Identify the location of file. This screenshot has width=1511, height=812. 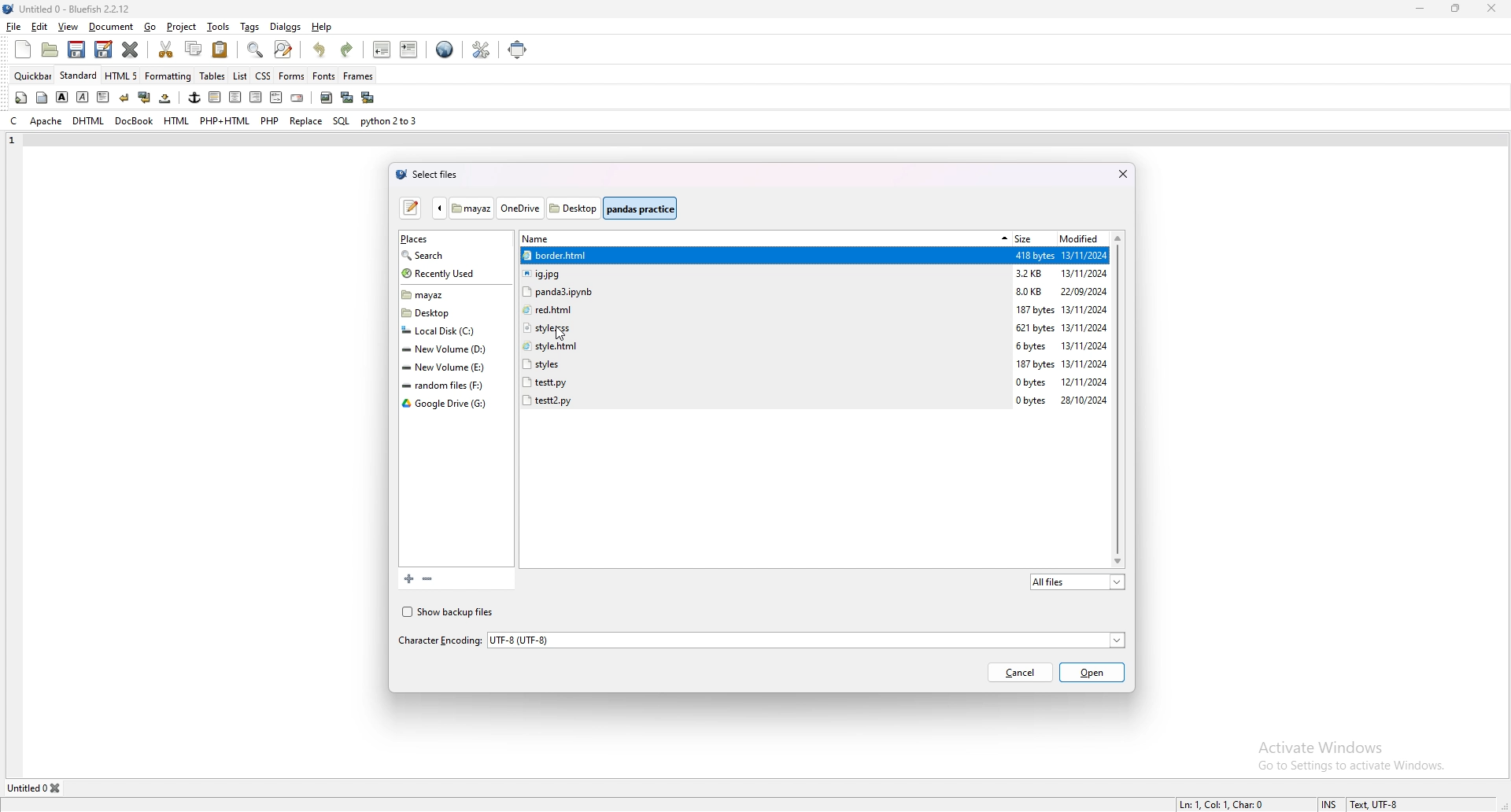
(763, 363).